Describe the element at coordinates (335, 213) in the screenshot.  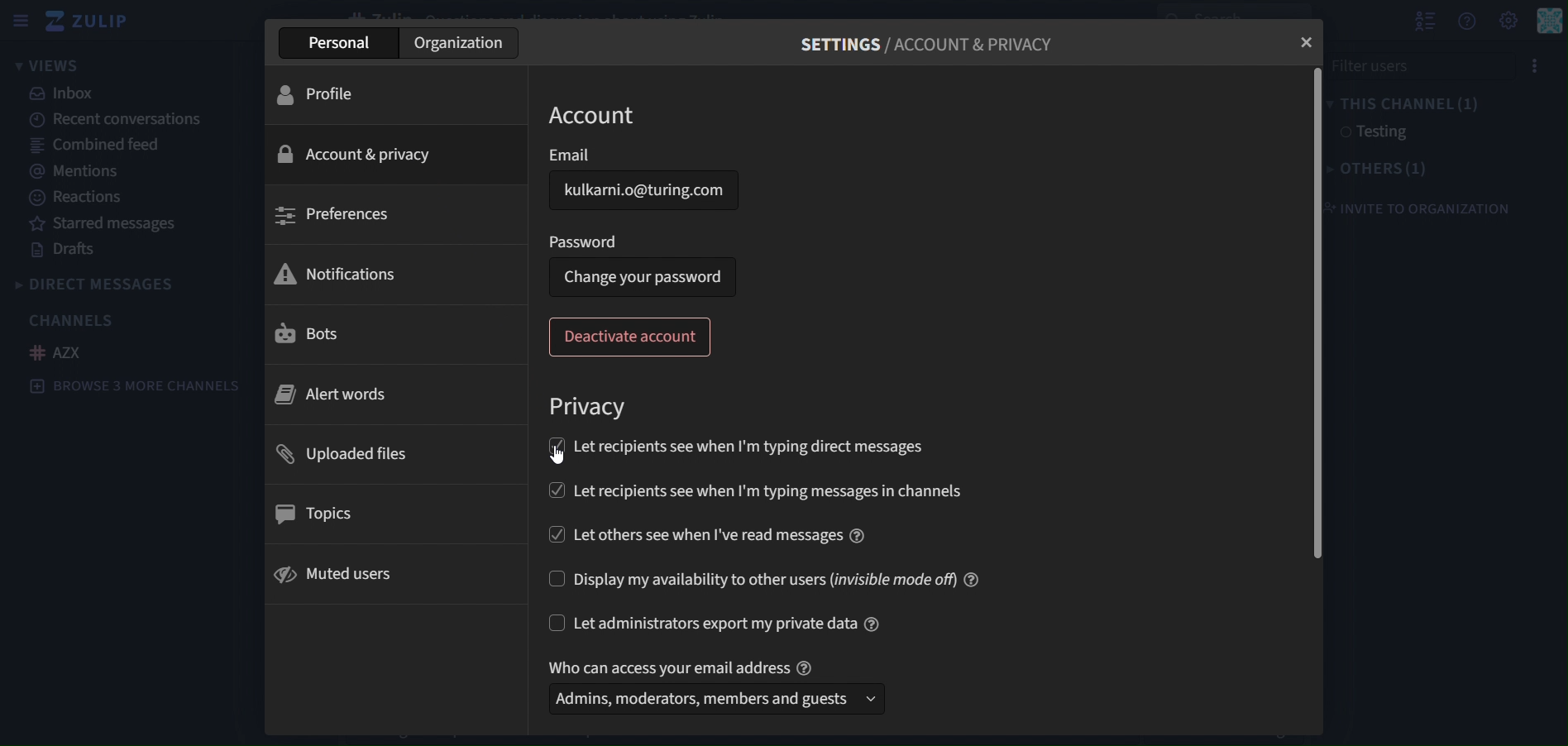
I see `preferences` at that location.